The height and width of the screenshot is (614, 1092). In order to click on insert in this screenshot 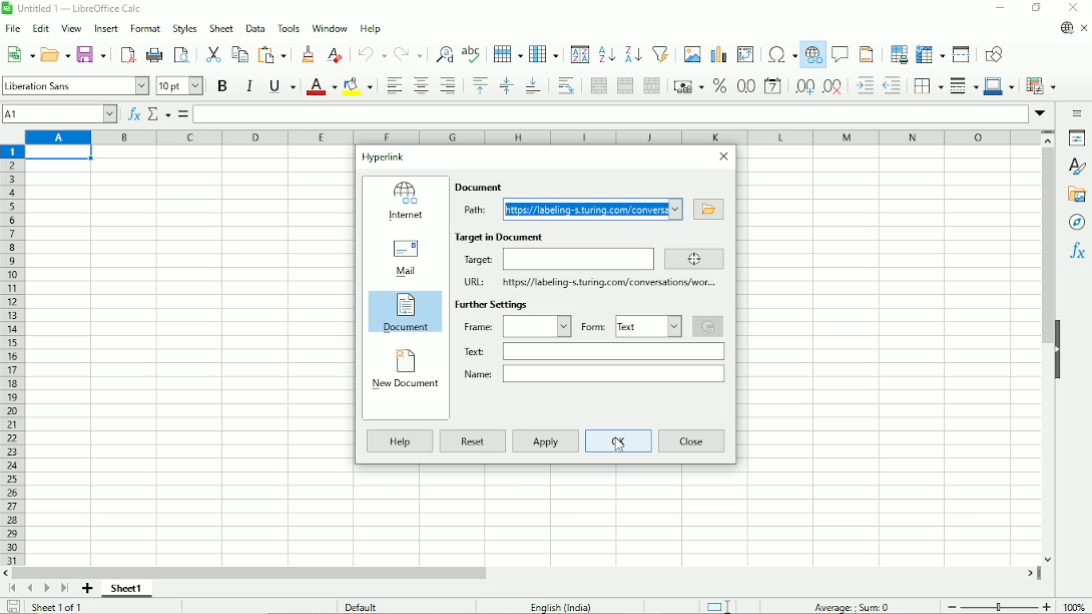, I will do `click(107, 28)`.